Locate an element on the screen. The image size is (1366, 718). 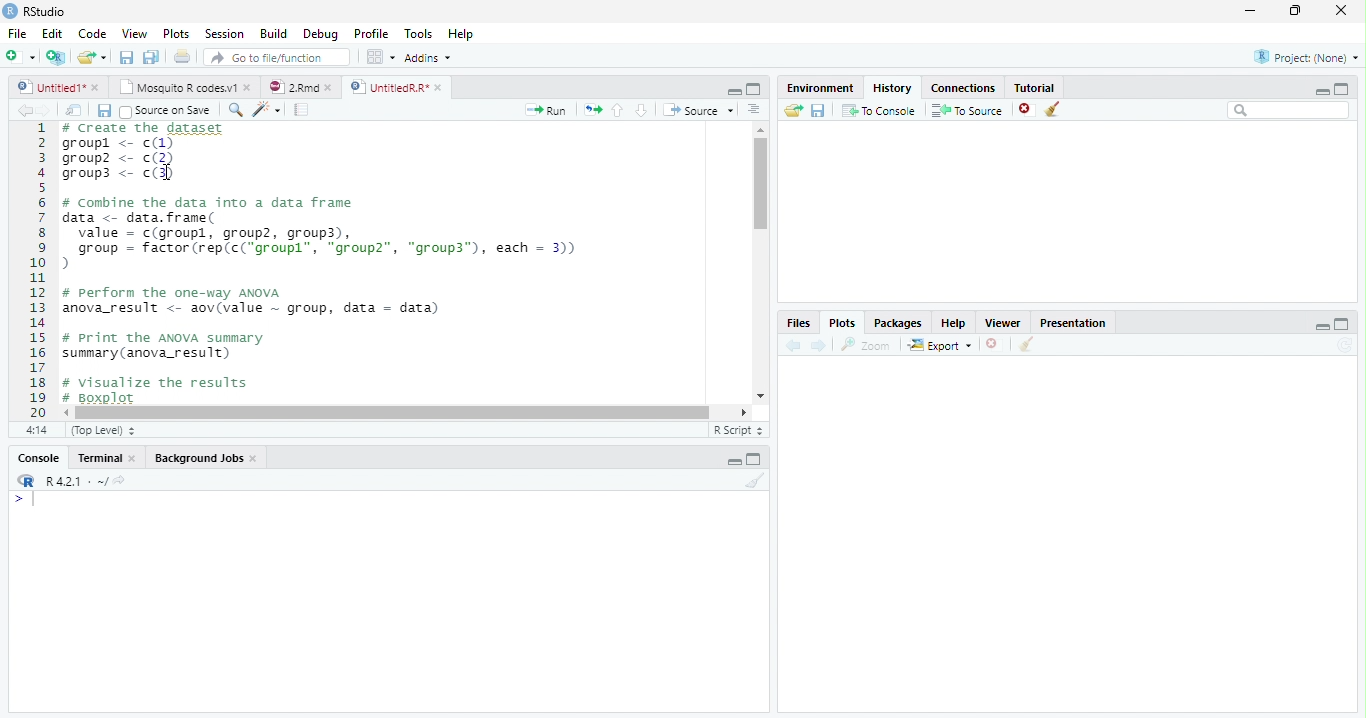
Plots is located at coordinates (841, 323).